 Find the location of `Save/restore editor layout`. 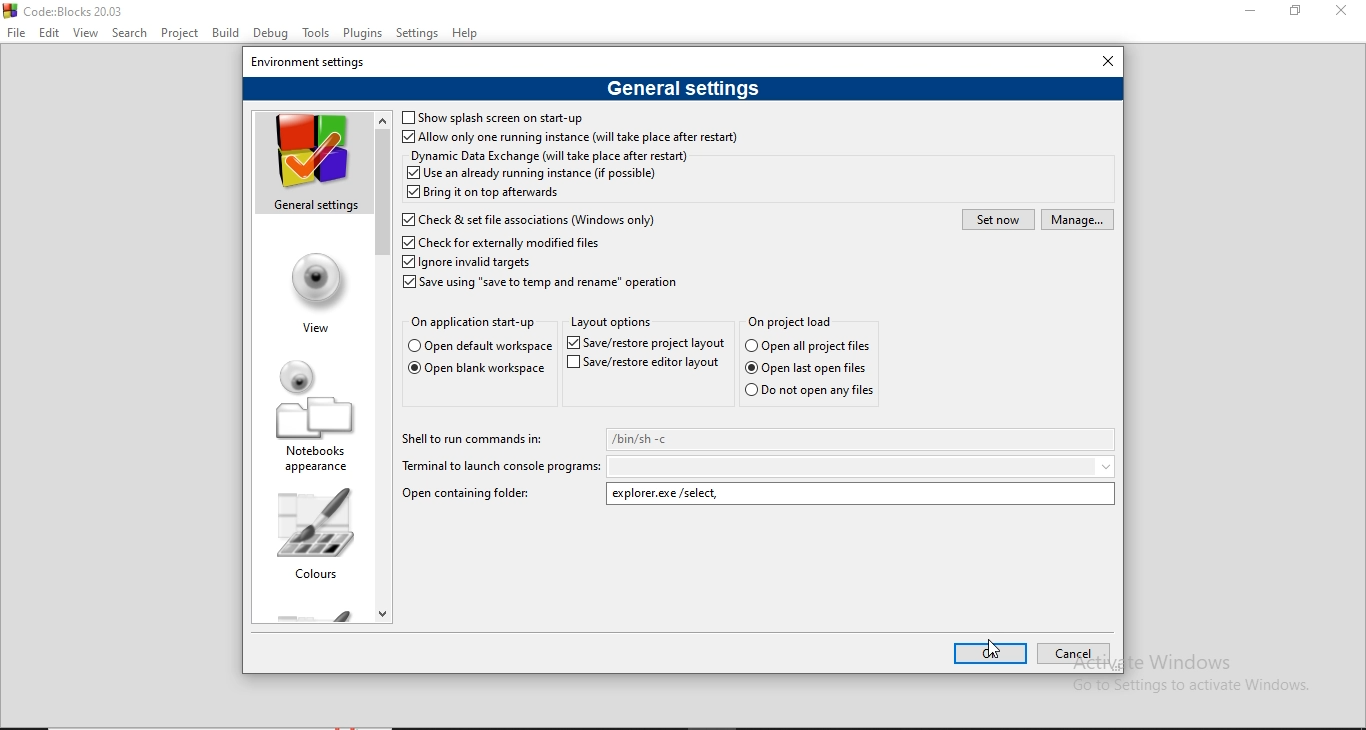

Save/restore editor layout is located at coordinates (644, 364).